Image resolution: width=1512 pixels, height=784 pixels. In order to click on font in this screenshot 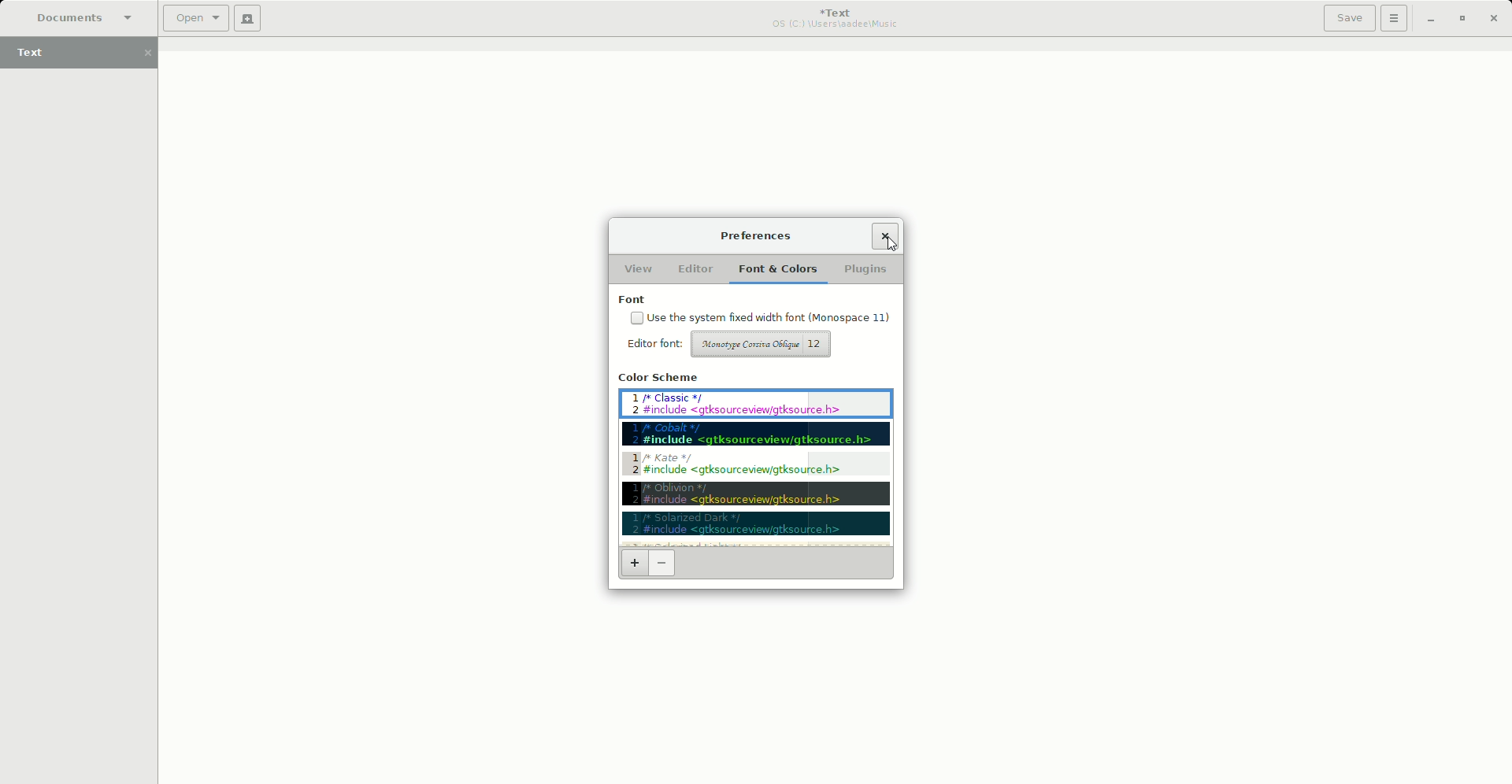, I will do `click(758, 299)`.